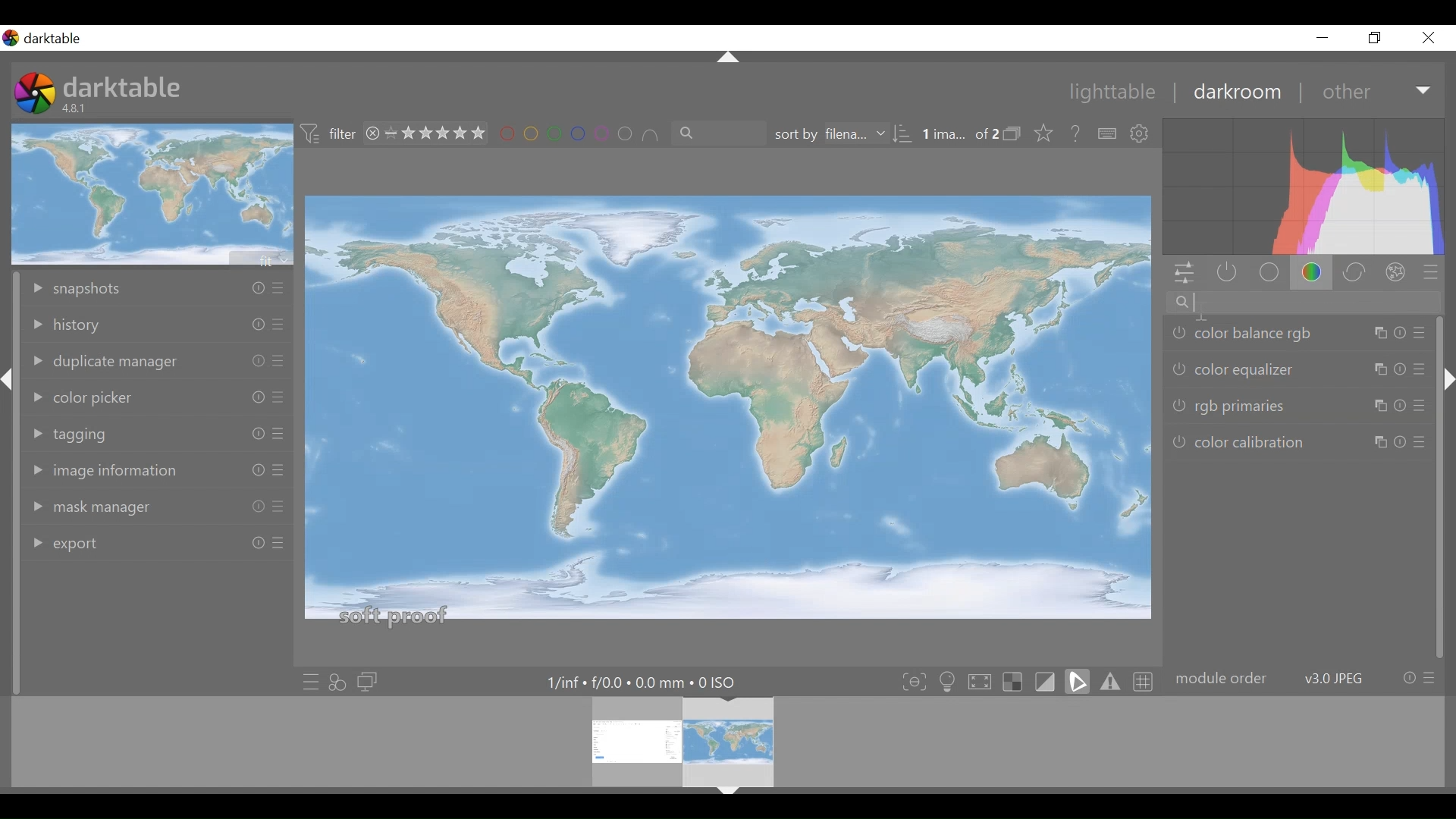 This screenshot has height=819, width=1456. I want to click on Version, so click(77, 108).